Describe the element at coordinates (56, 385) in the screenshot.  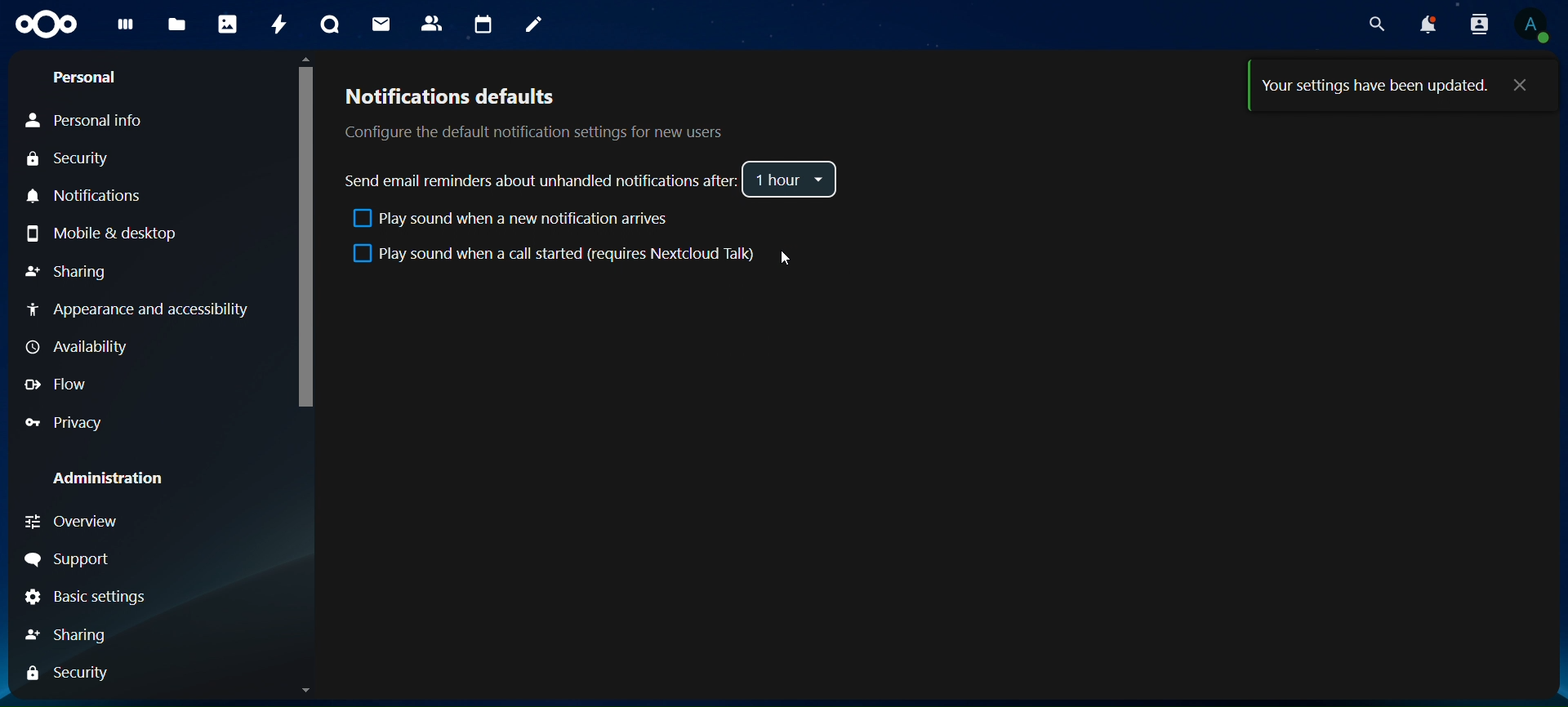
I see `Flow` at that location.